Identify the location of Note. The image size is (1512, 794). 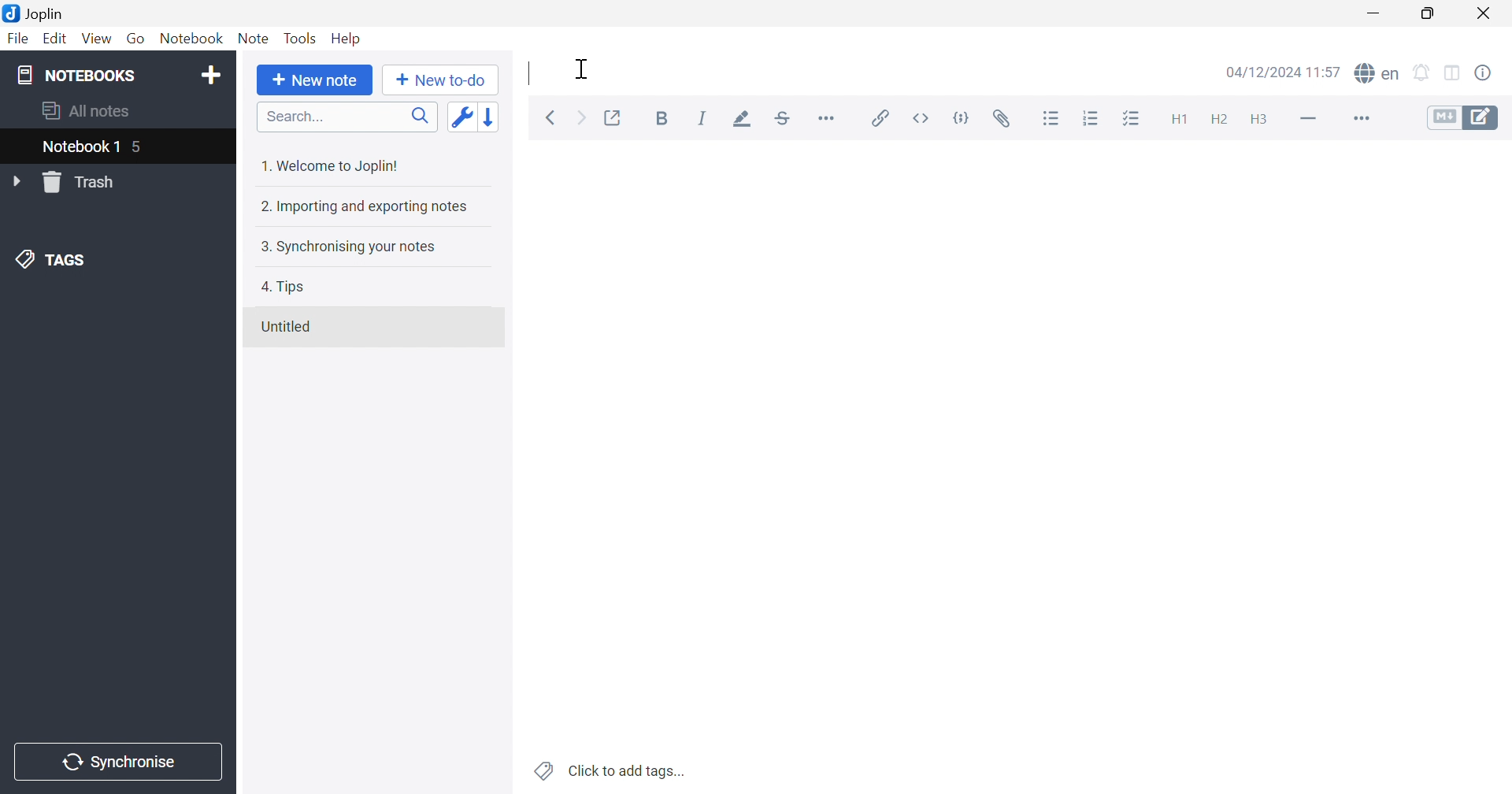
(253, 40).